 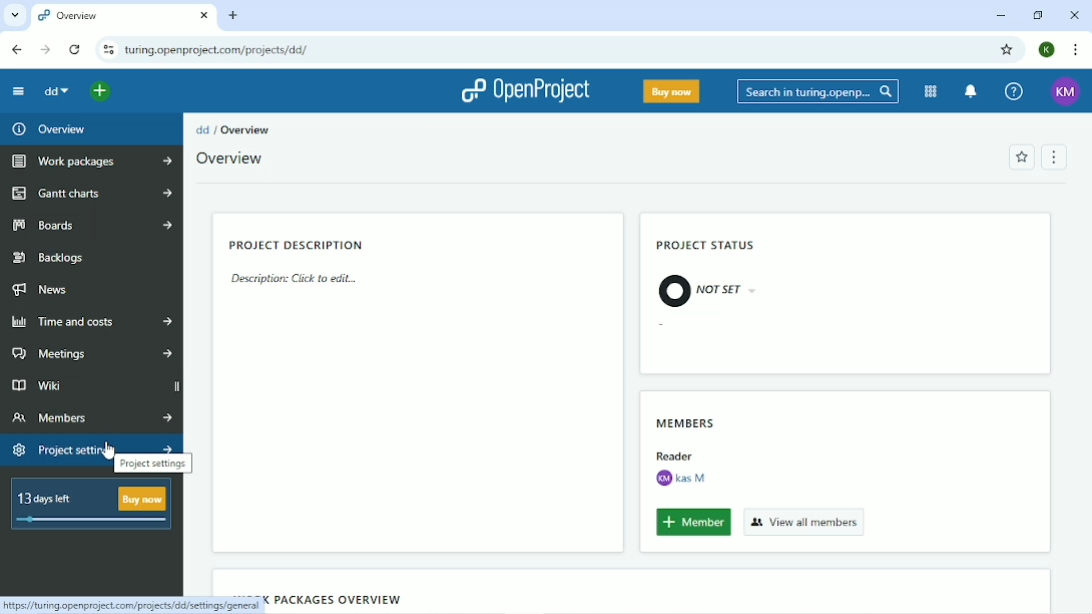 What do you see at coordinates (1022, 157) in the screenshot?
I see `Add to favorites` at bounding box center [1022, 157].